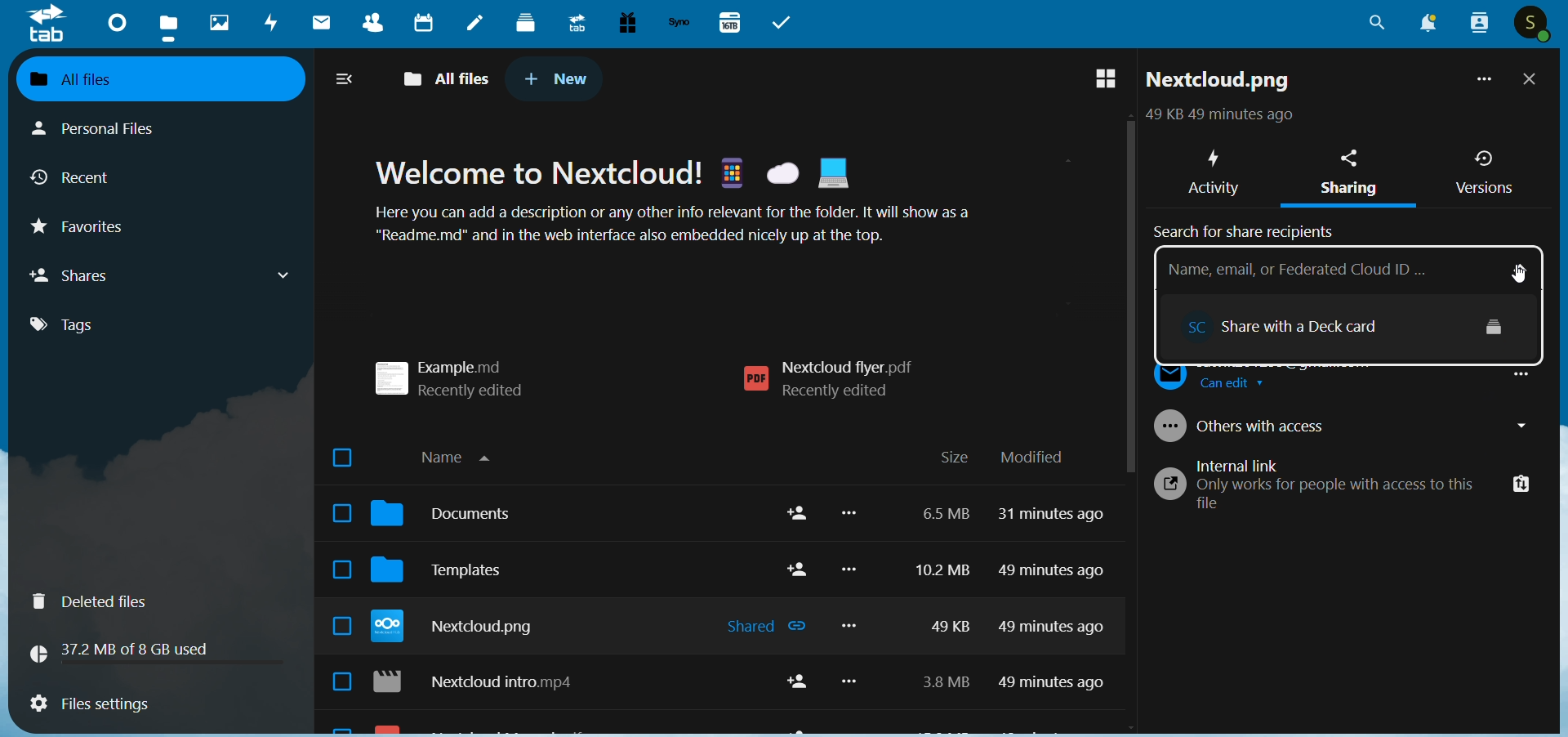 Image resolution: width=1568 pixels, height=737 pixels. Describe the element at coordinates (625, 23) in the screenshot. I see `free trial` at that location.